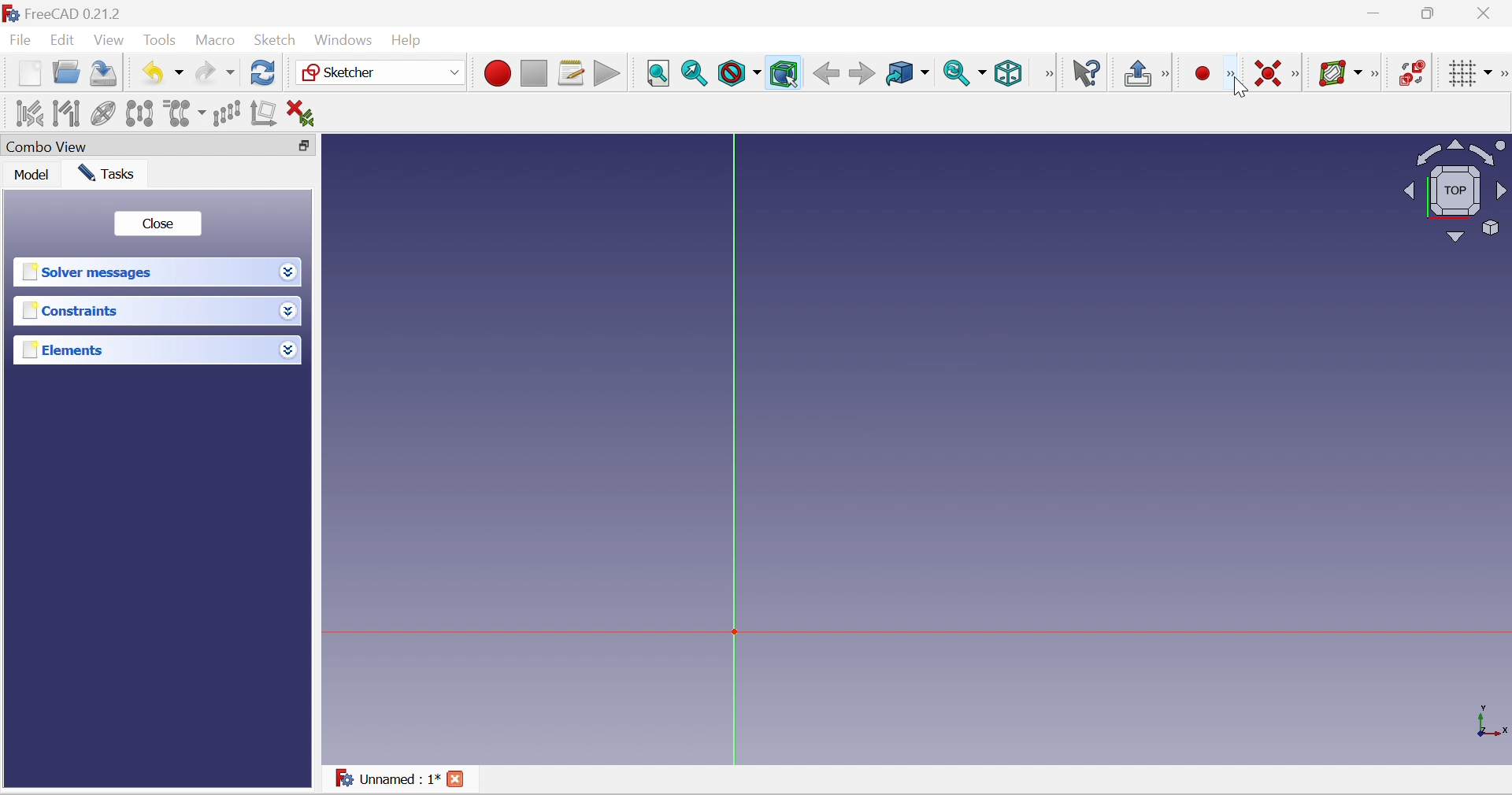  Describe the element at coordinates (109, 42) in the screenshot. I see `View` at that location.